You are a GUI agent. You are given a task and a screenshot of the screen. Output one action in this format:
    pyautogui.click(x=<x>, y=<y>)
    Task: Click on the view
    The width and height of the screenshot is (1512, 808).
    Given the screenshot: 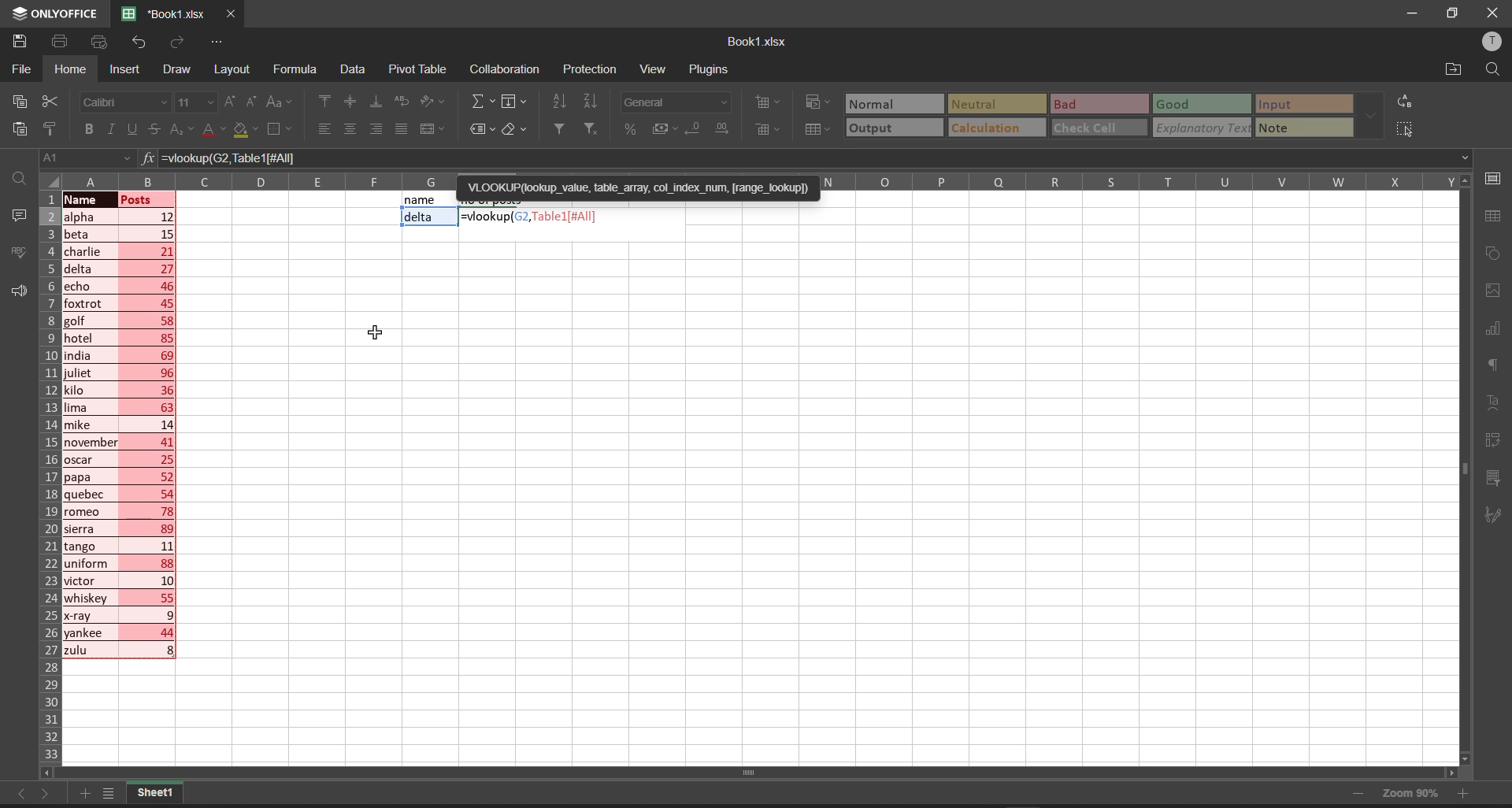 What is the action you would take?
    pyautogui.click(x=653, y=70)
    